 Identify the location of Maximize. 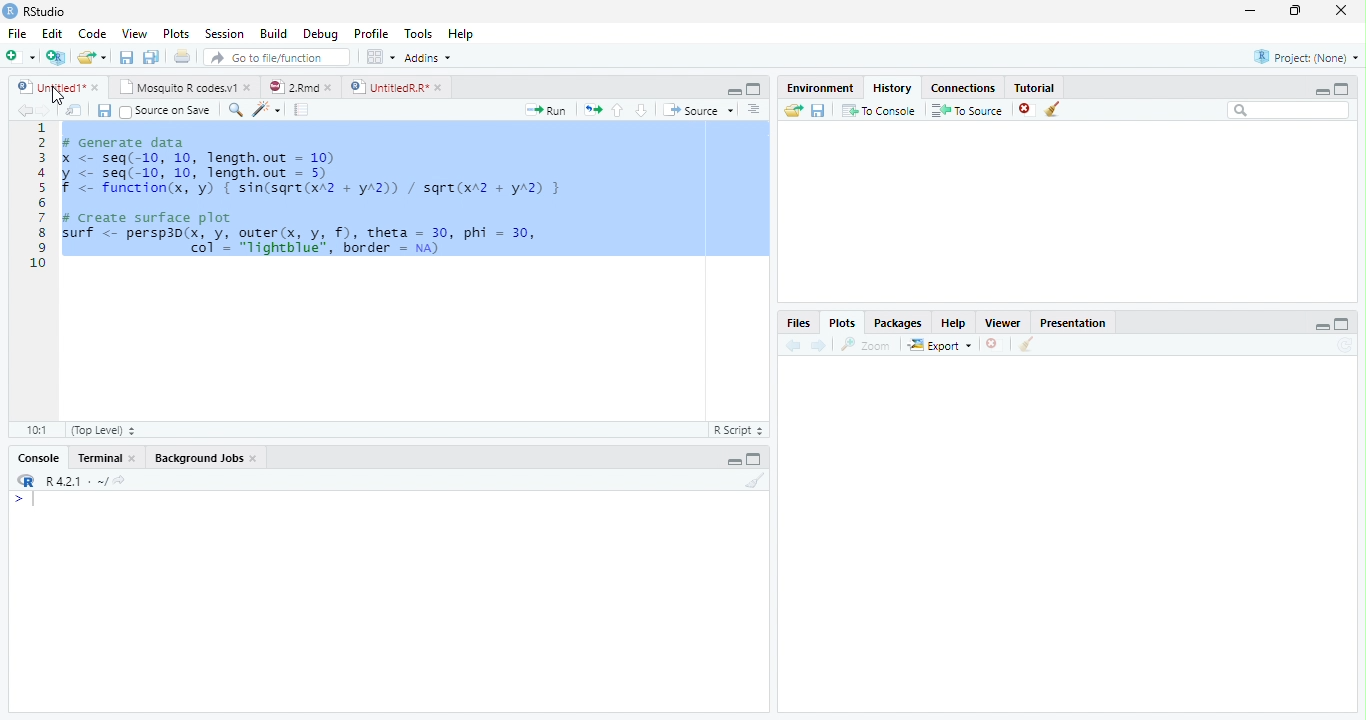
(753, 461).